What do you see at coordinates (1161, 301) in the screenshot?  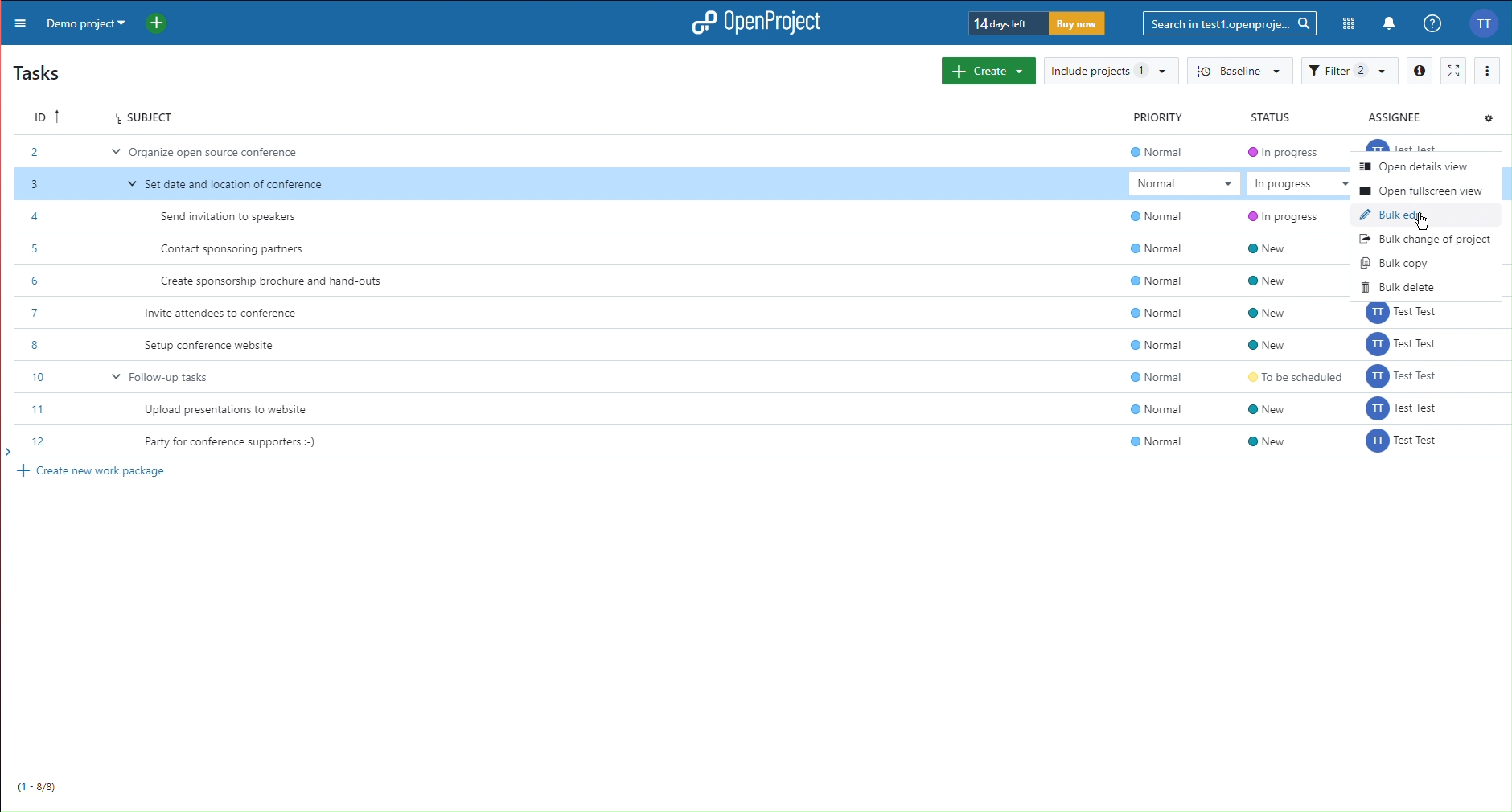 I see `normal` at bounding box center [1161, 301].